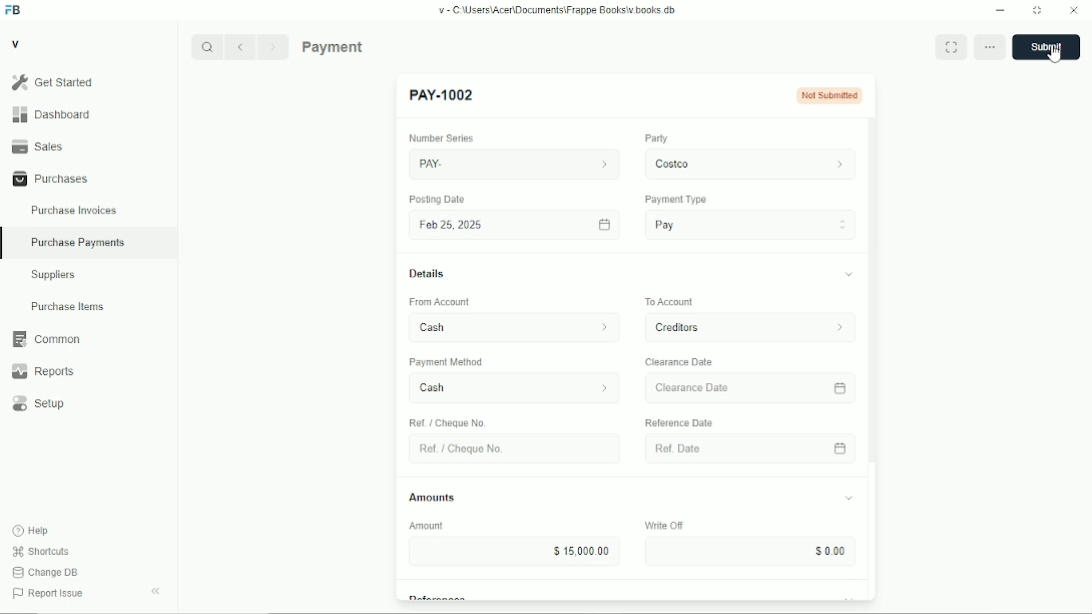 The height and width of the screenshot is (614, 1092). I want to click on Frappe Books logo, so click(12, 10).